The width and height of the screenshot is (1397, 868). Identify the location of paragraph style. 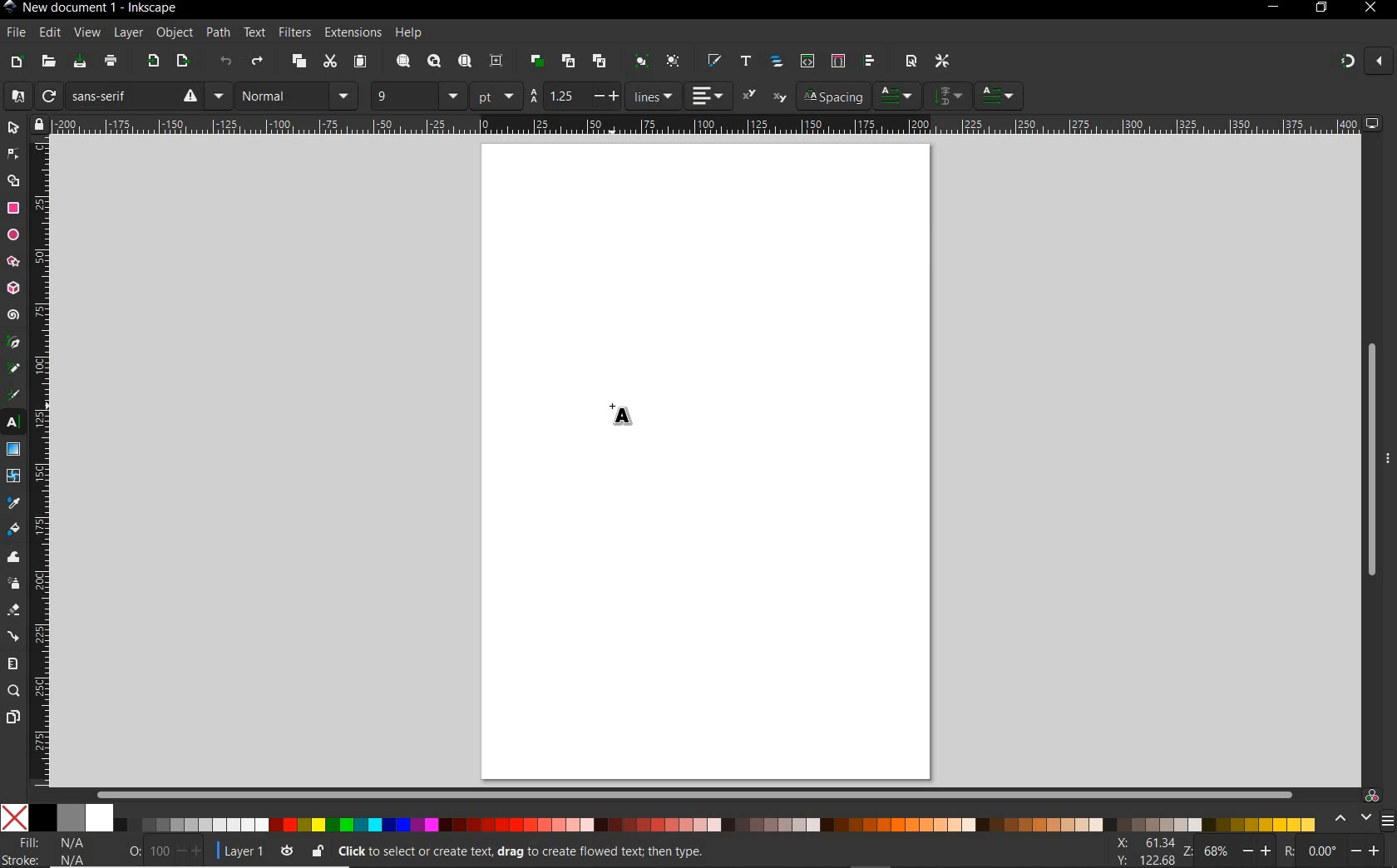
(1000, 96).